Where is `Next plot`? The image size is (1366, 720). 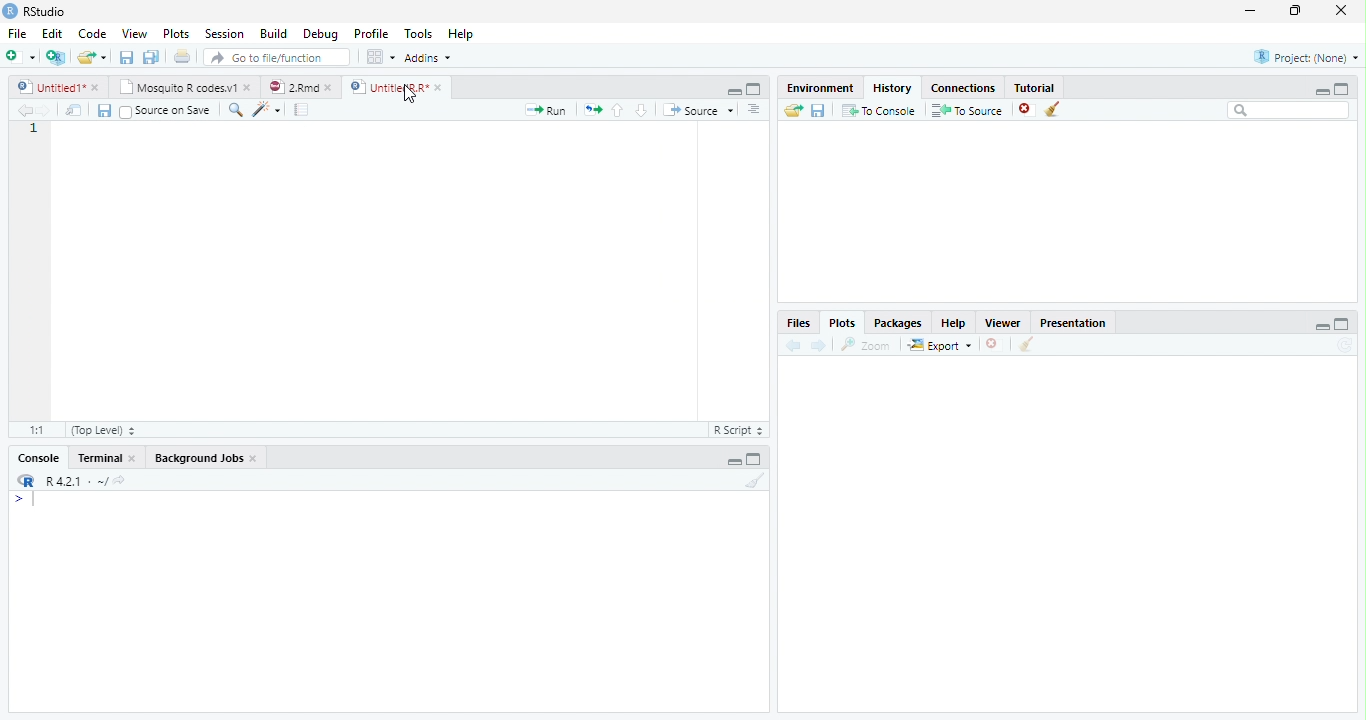 Next plot is located at coordinates (819, 345).